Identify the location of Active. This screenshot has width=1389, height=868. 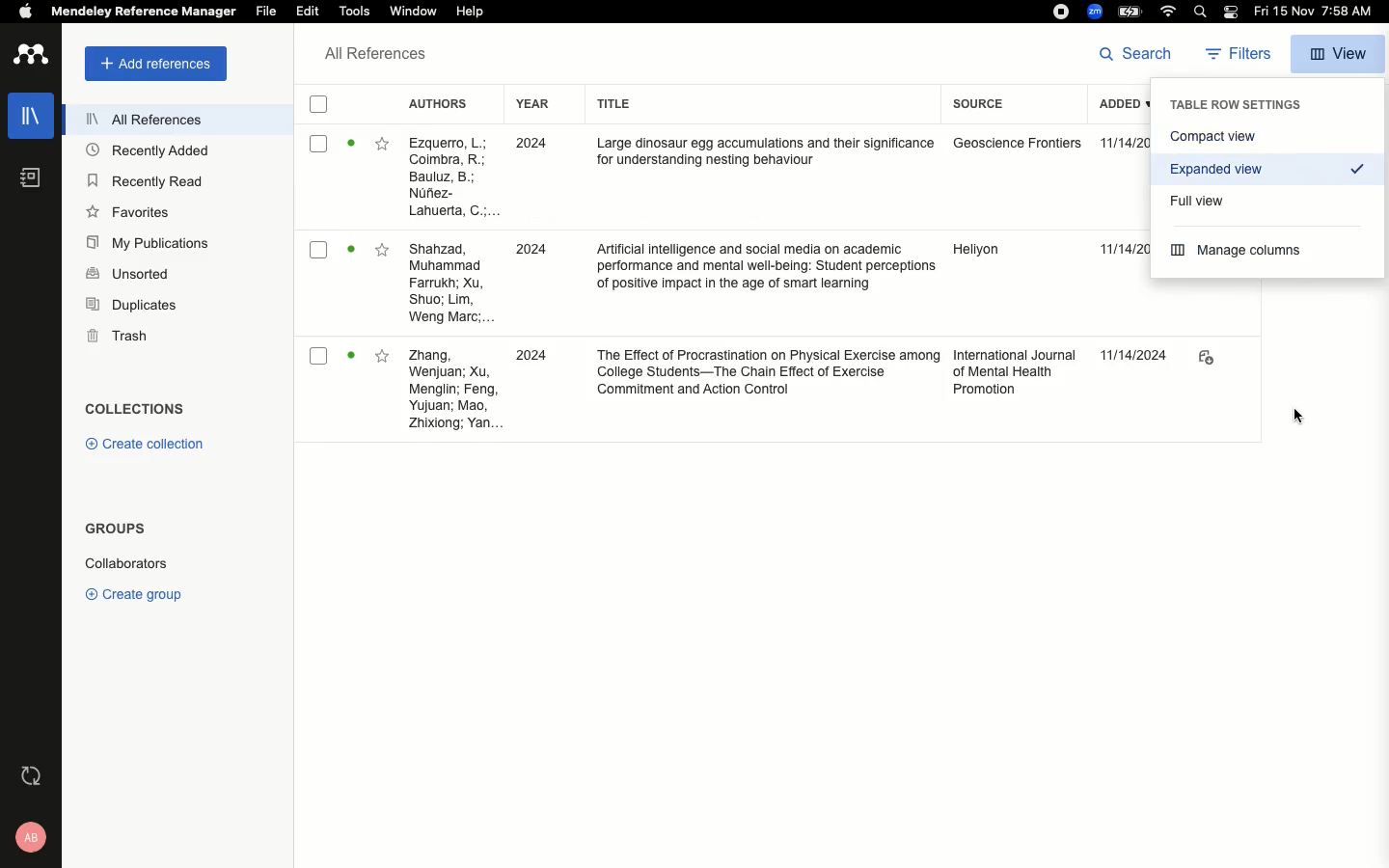
(351, 148).